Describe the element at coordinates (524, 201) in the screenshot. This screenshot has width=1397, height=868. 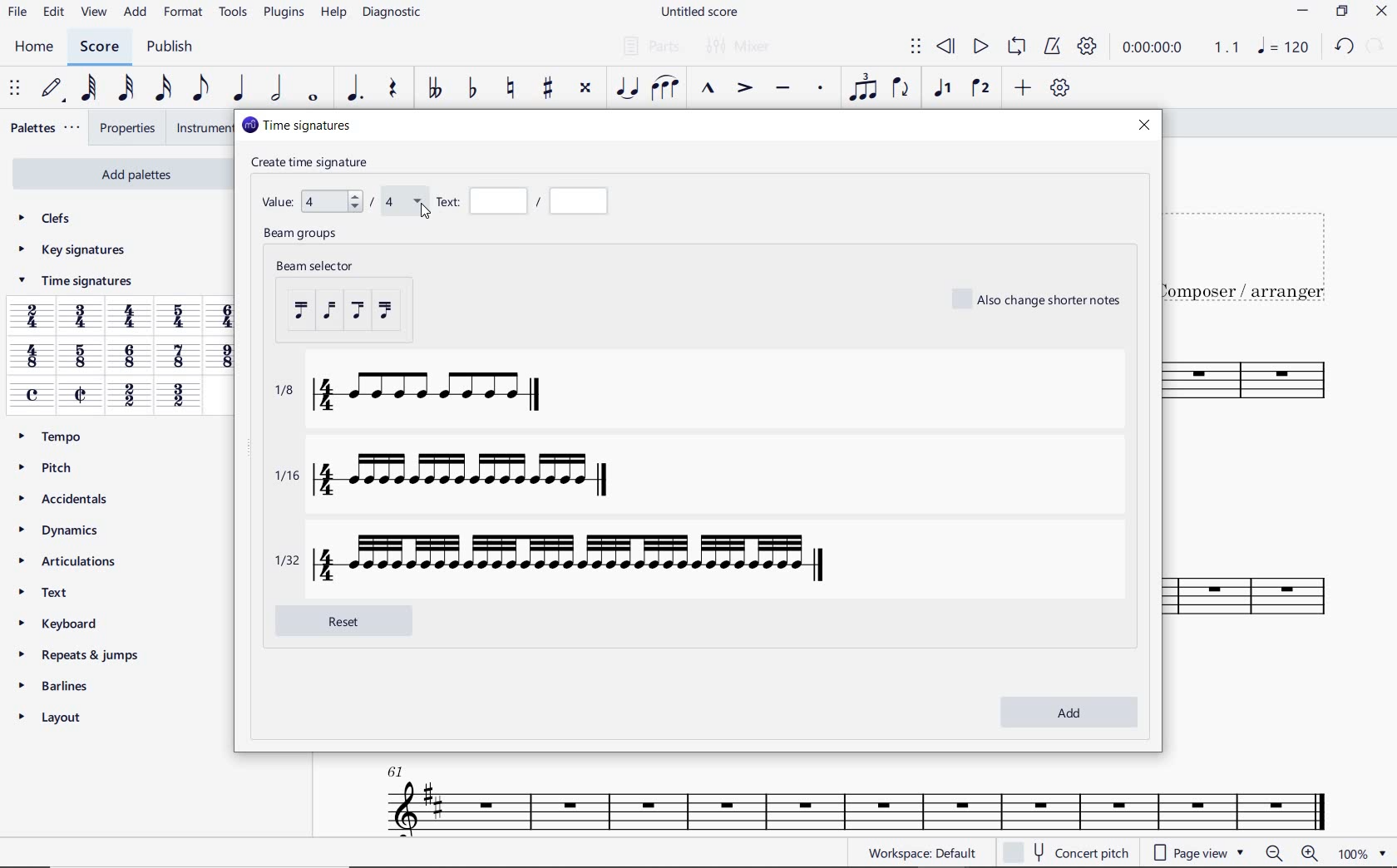
I see `Text` at that location.